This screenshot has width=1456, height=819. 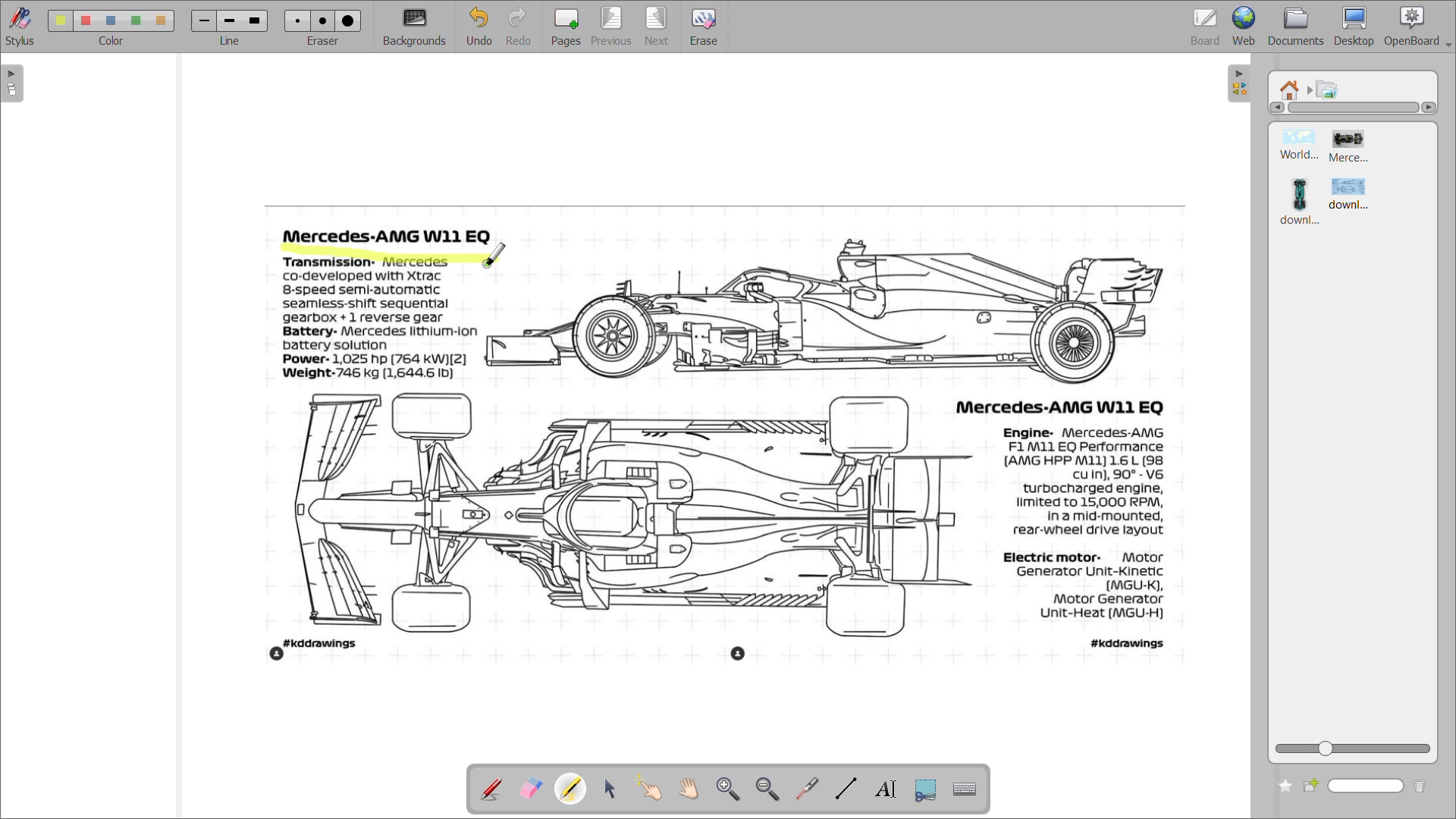 What do you see at coordinates (1326, 86) in the screenshot?
I see `pictures` at bounding box center [1326, 86].